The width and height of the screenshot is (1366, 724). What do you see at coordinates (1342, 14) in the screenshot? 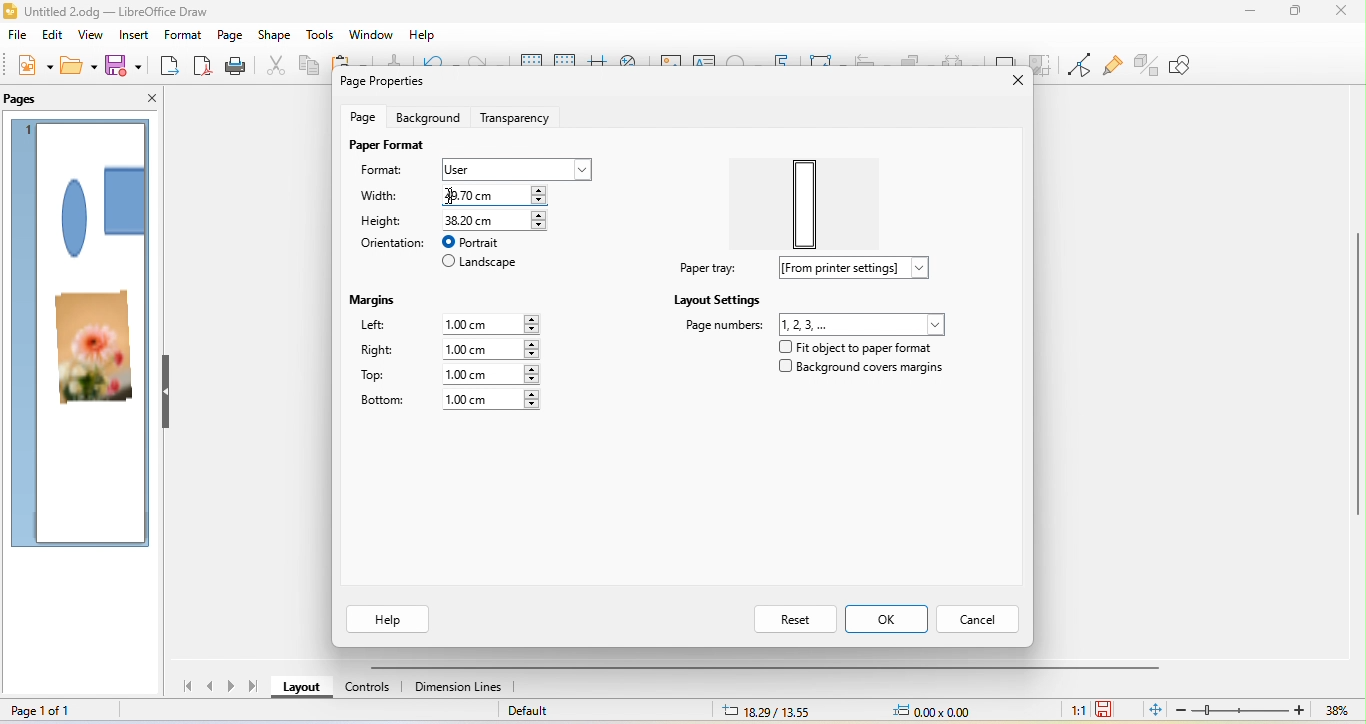
I see `close` at bounding box center [1342, 14].